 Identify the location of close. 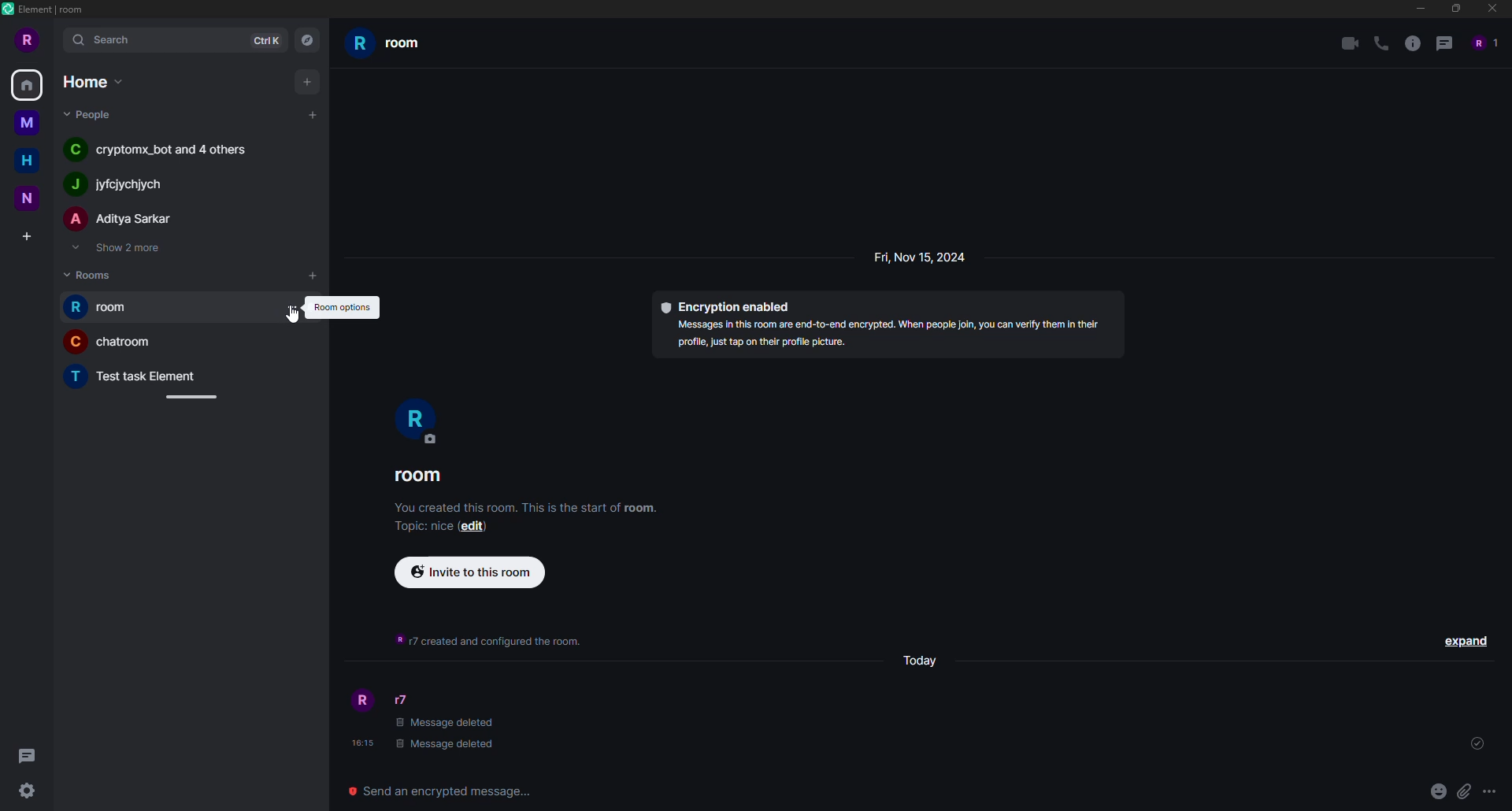
(1493, 9).